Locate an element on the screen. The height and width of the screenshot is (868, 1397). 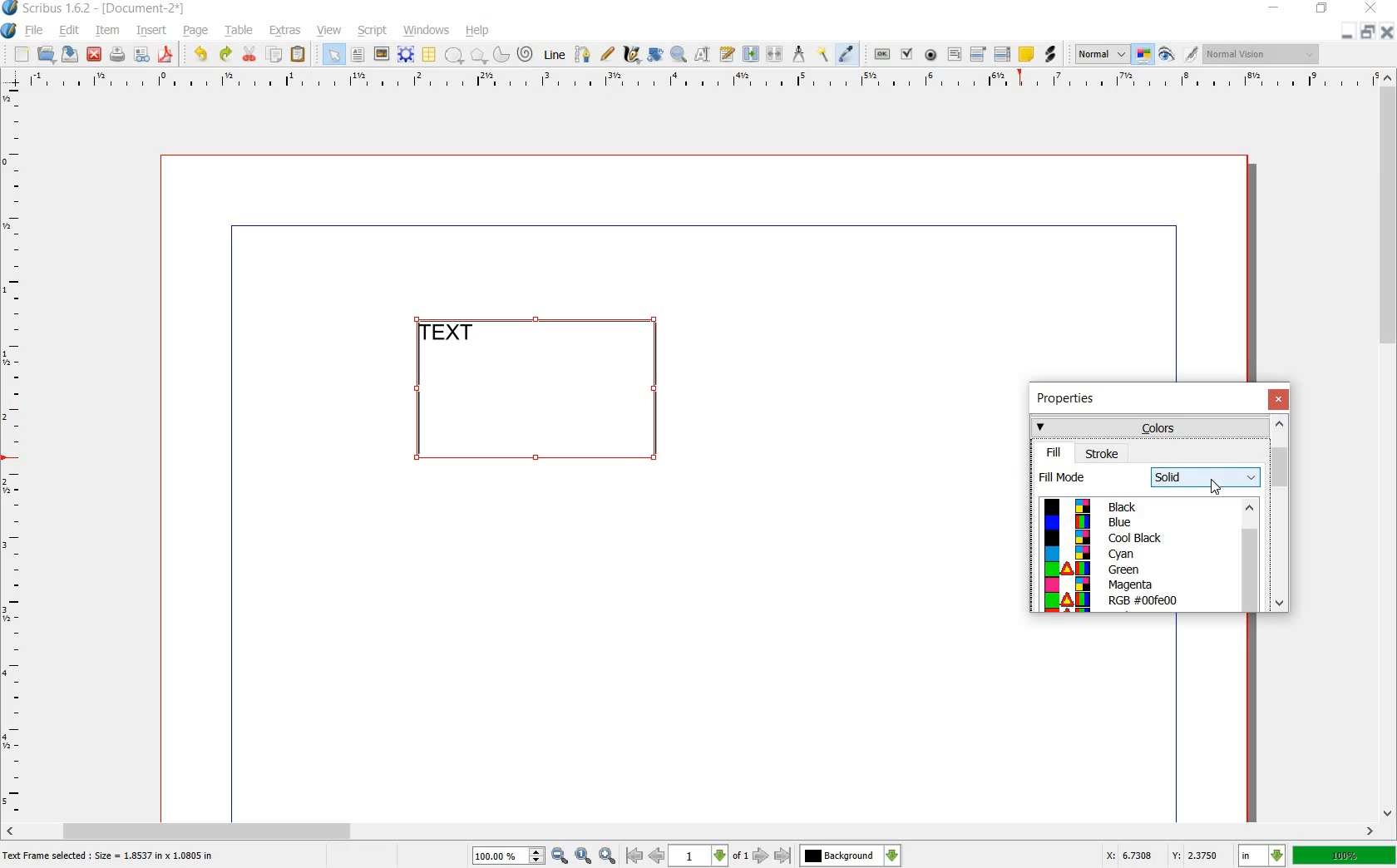
blue is located at coordinates (1121, 522).